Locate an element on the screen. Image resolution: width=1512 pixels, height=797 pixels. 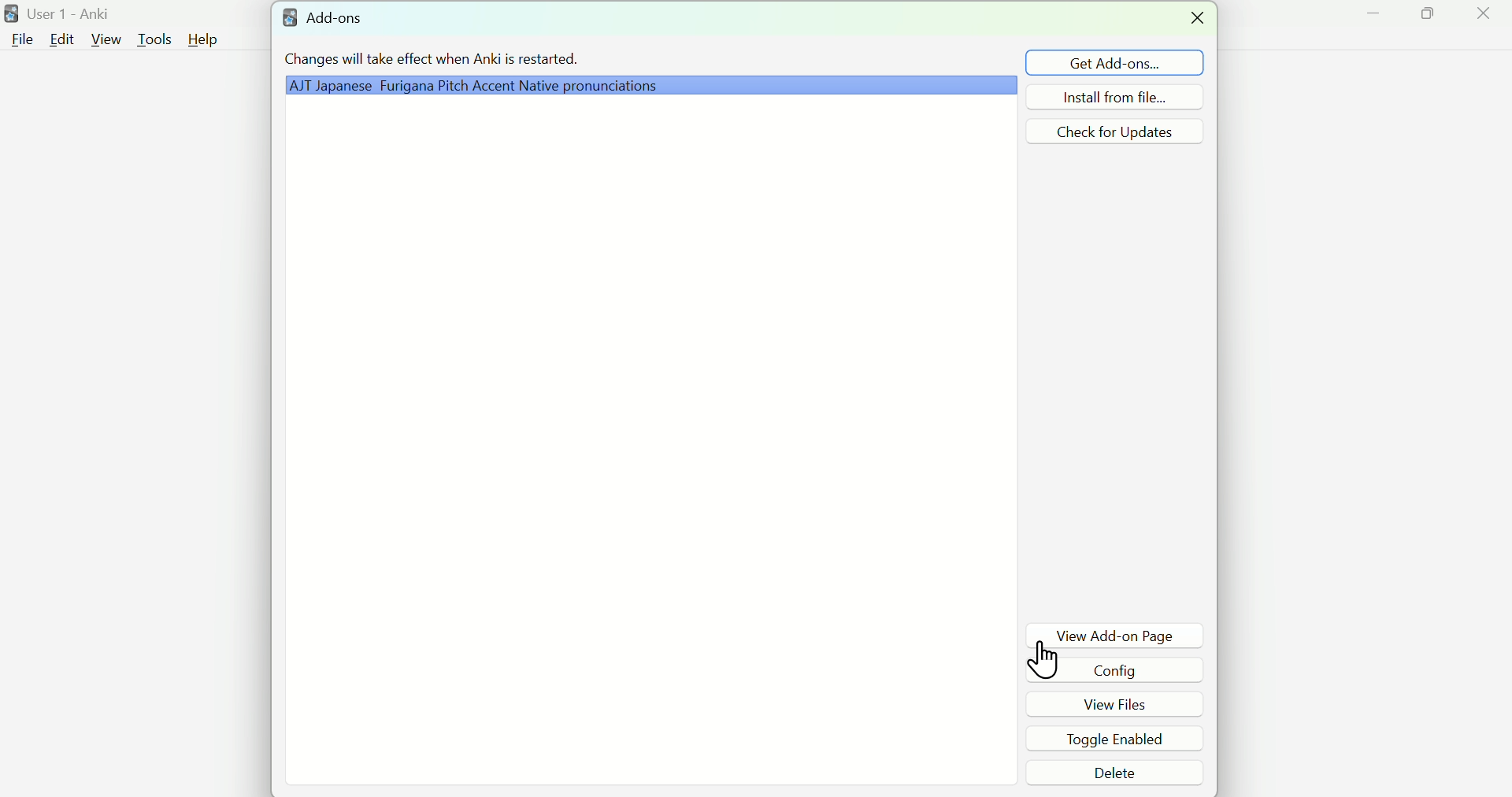
Changes will take effect when Anki is restarted is located at coordinates (439, 61).